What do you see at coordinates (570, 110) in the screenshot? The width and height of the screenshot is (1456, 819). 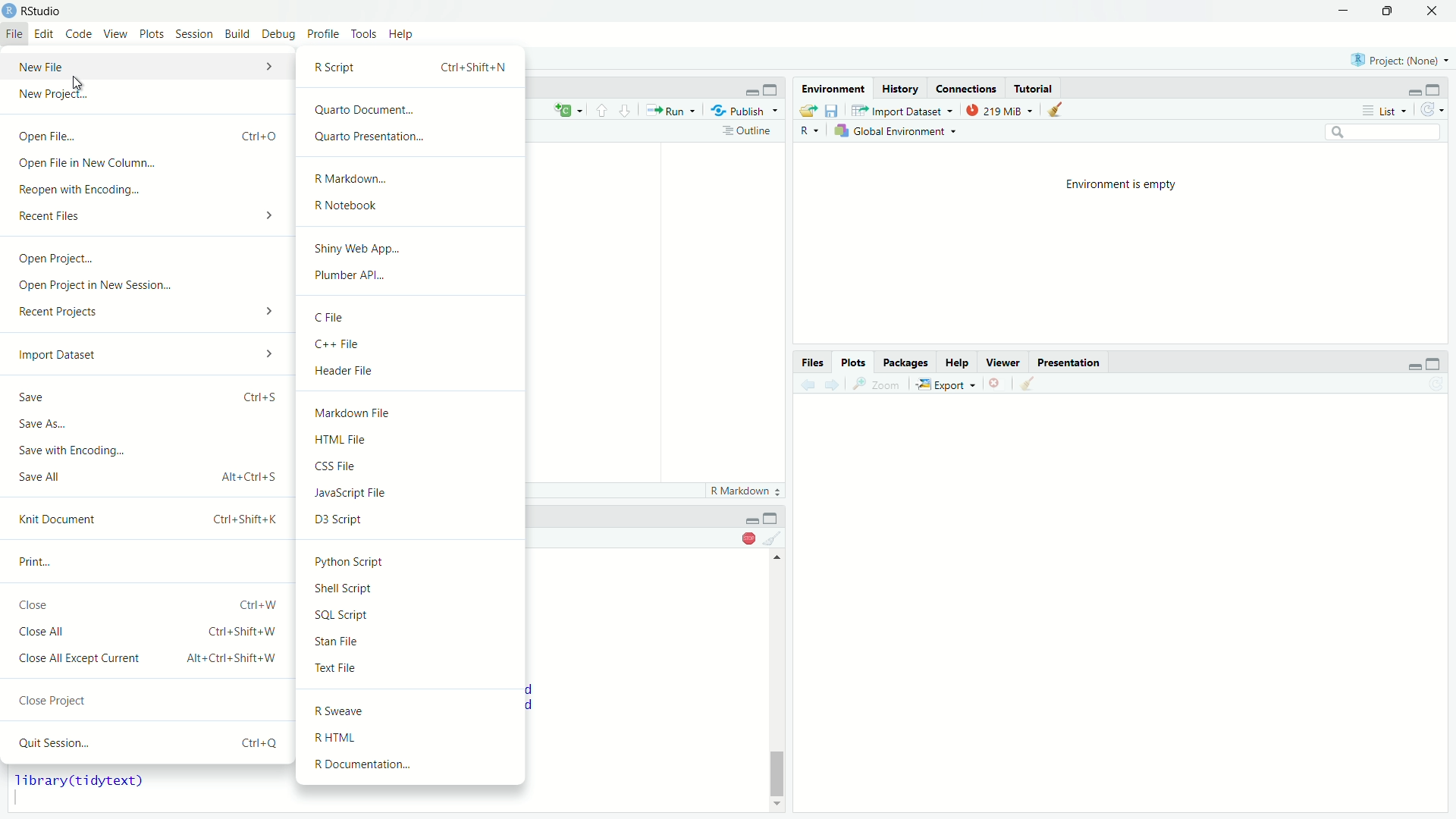 I see `Current language` at bounding box center [570, 110].